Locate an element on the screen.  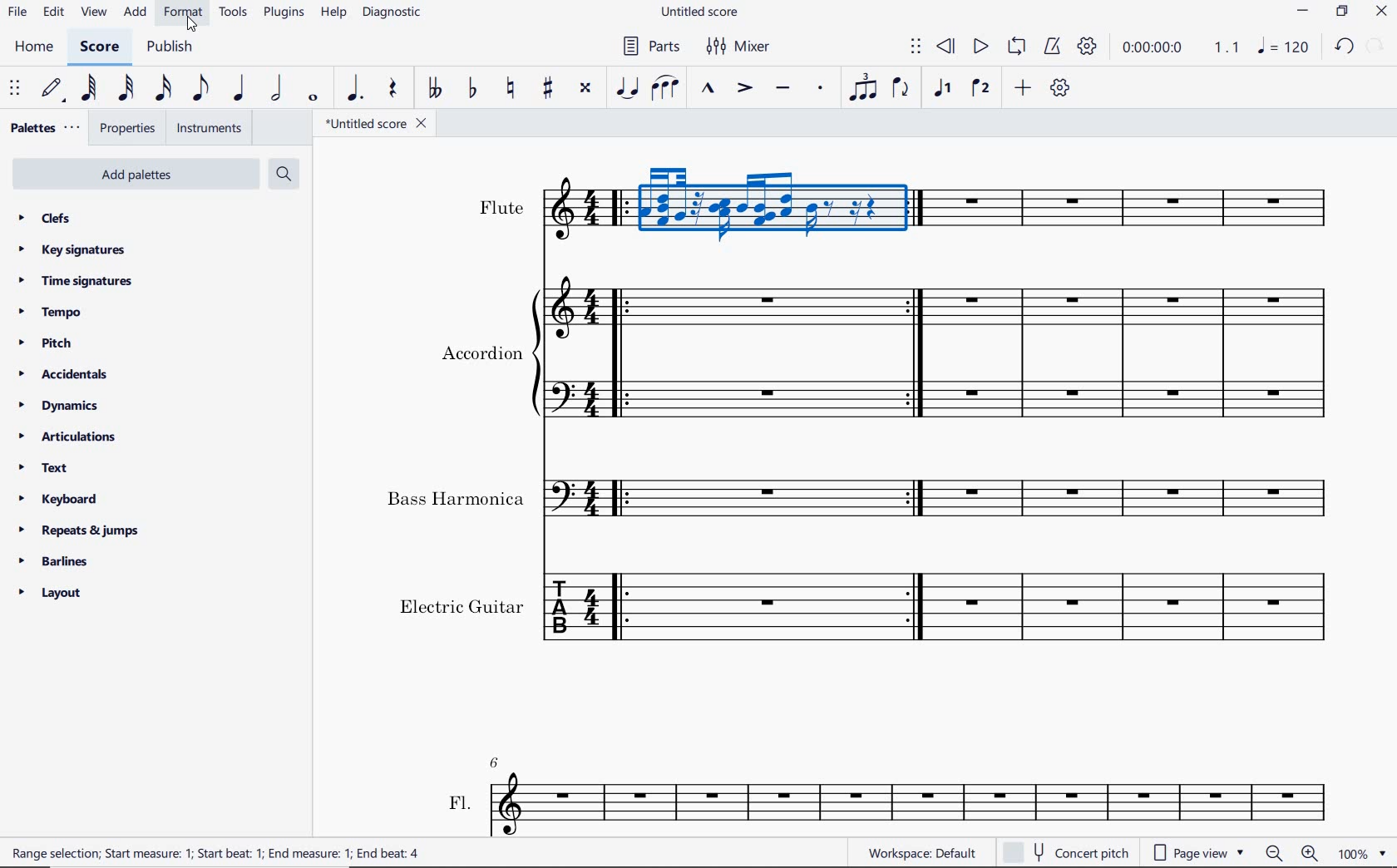
accent is located at coordinates (741, 89).